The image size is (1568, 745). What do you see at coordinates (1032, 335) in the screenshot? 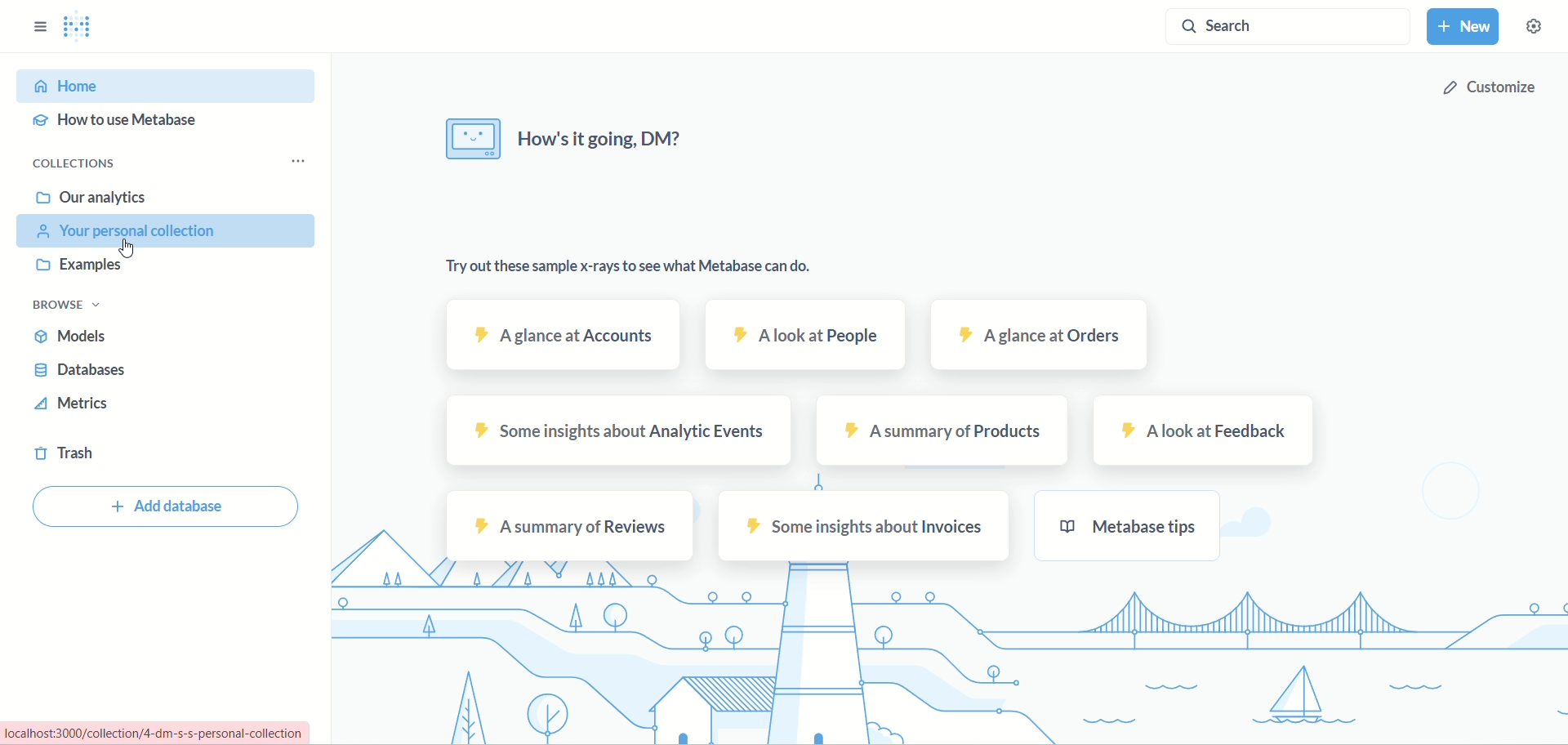
I see `a glance at orders` at bounding box center [1032, 335].